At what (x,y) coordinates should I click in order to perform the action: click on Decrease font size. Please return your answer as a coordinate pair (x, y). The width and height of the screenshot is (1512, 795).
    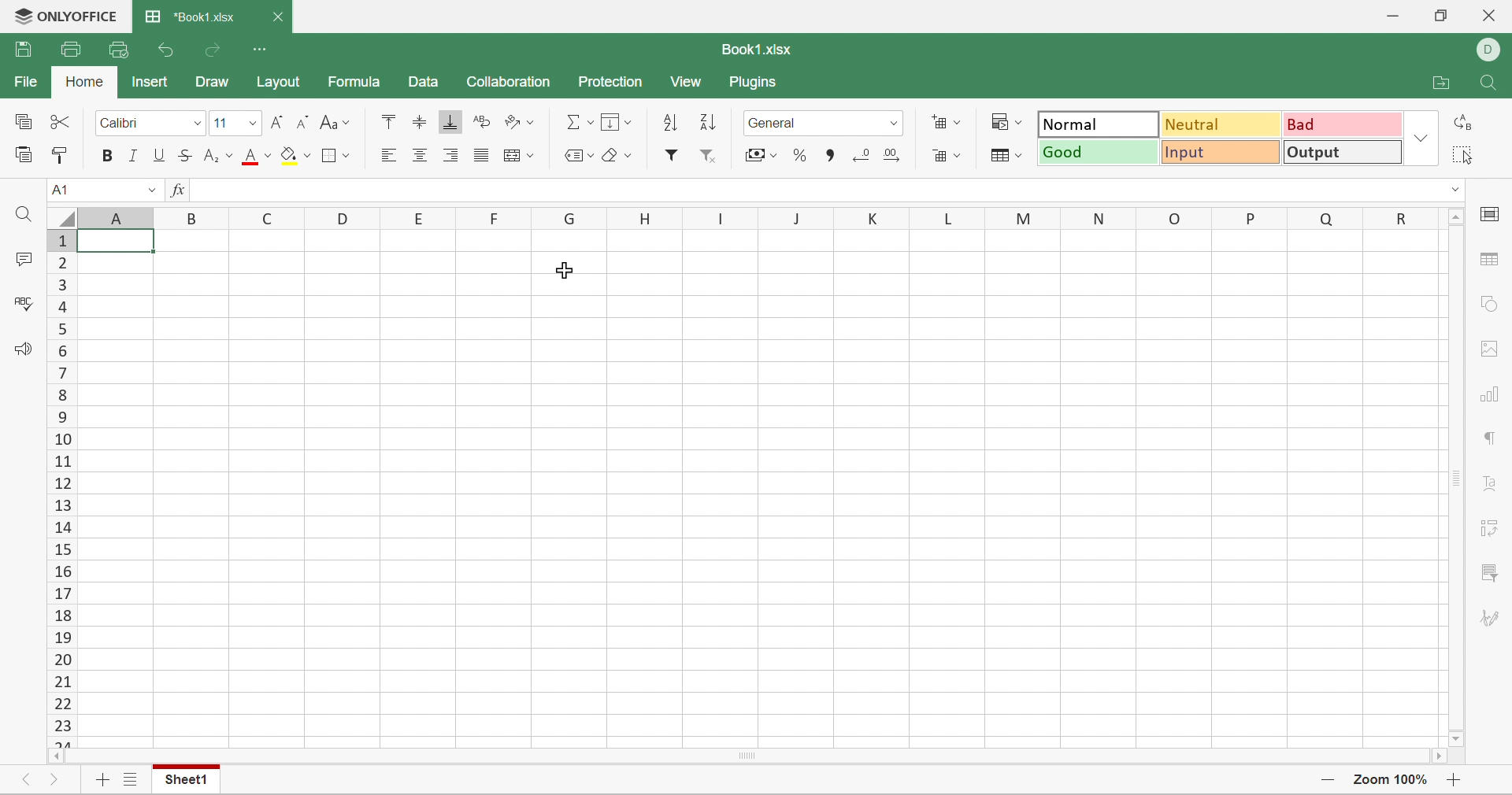
    Looking at the image, I should click on (302, 123).